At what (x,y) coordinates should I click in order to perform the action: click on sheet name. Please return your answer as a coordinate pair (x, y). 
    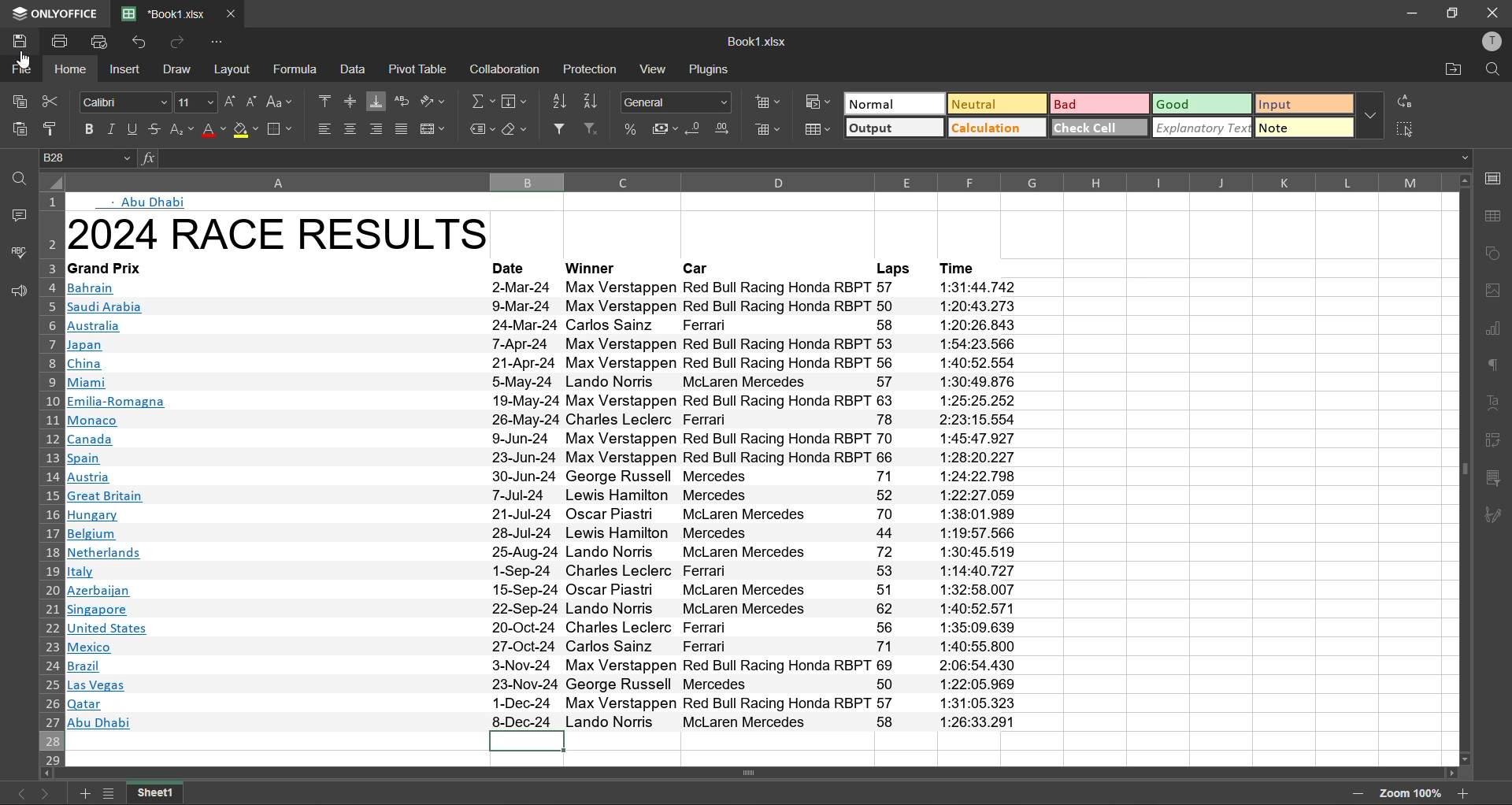
    Looking at the image, I should click on (164, 794).